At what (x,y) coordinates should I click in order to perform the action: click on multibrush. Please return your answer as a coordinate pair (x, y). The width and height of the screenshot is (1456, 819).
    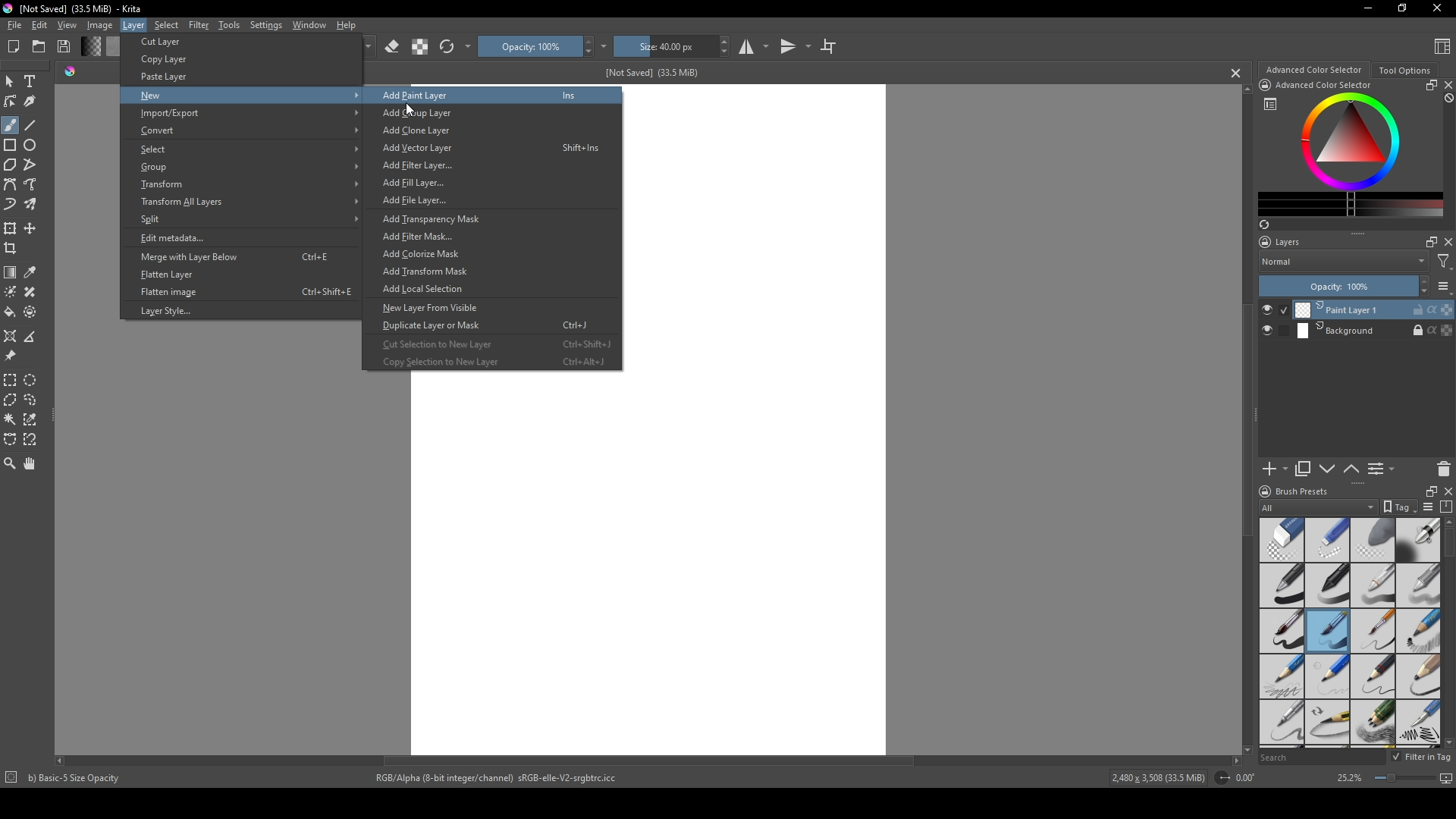
    Looking at the image, I should click on (32, 205).